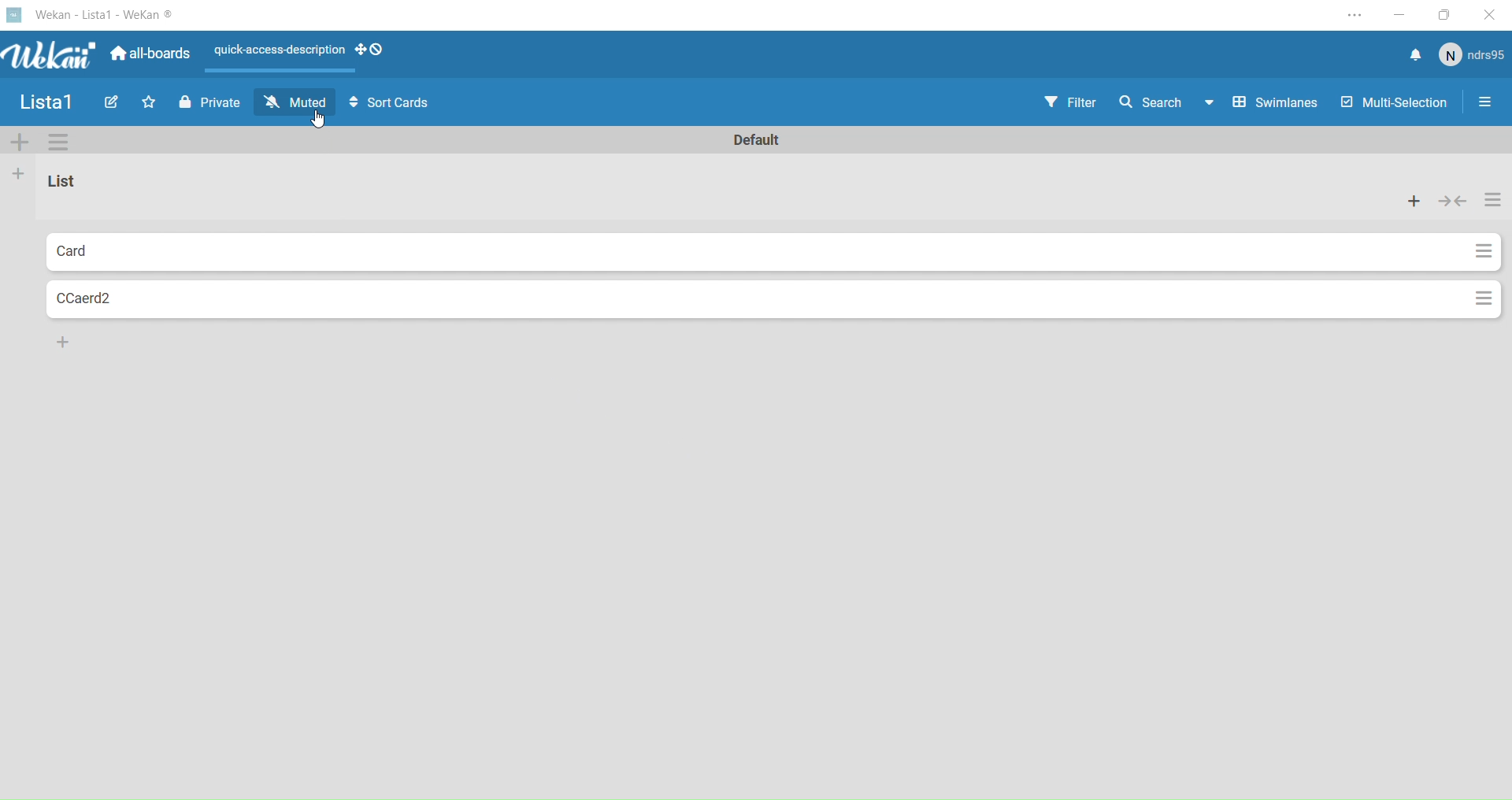  Describe the element at coordinates (83, 188) in the screenshot. I see `List` at that location.